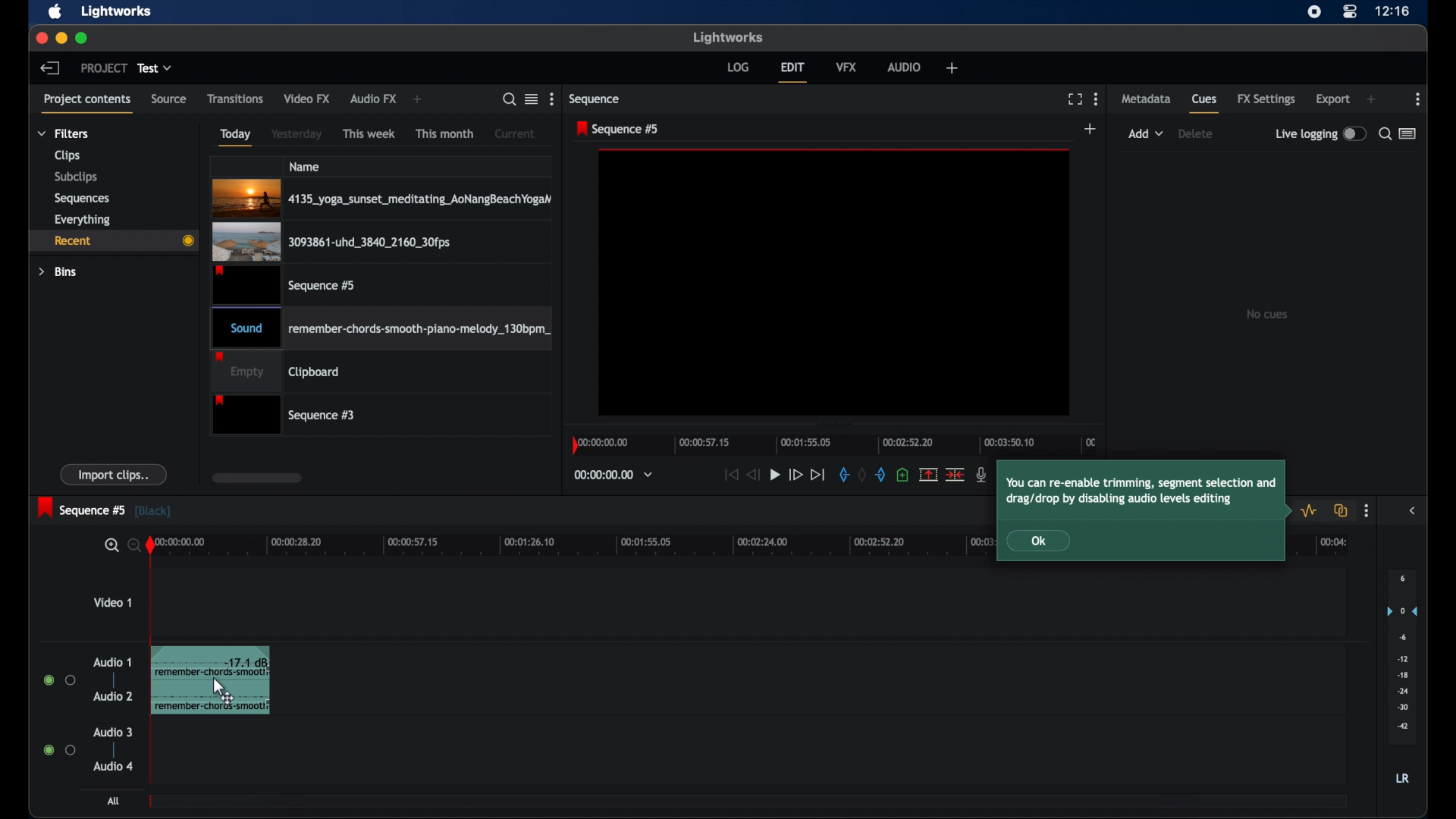 The width and height of the screenshot is (1456, 819). What do you see at coordinates (169, 99) in the screenshot?
I see `source` at bounding box center [169, 99].